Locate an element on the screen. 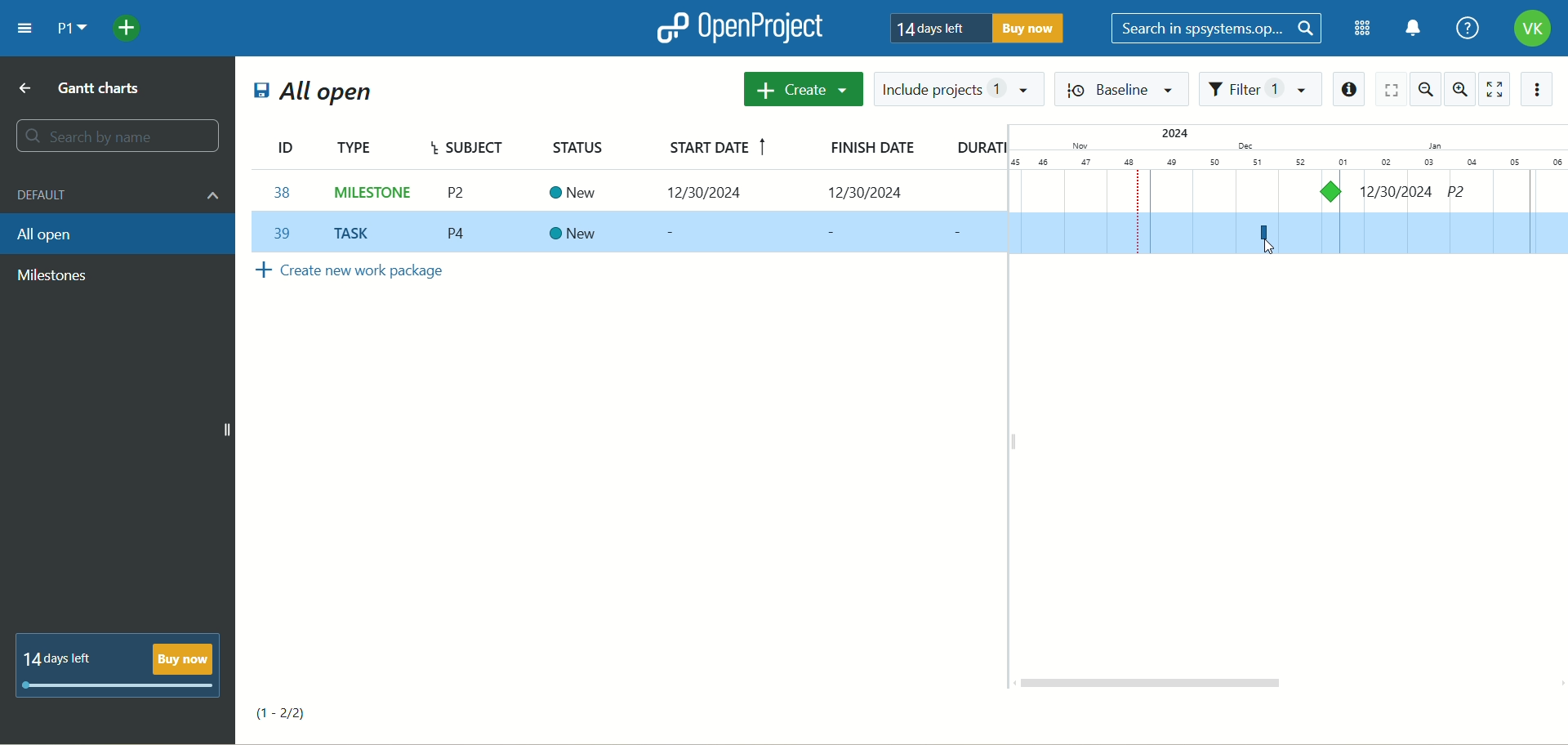 The height and width of the screenshot is (745, 1568). subject is located at coordinates (474, 145).